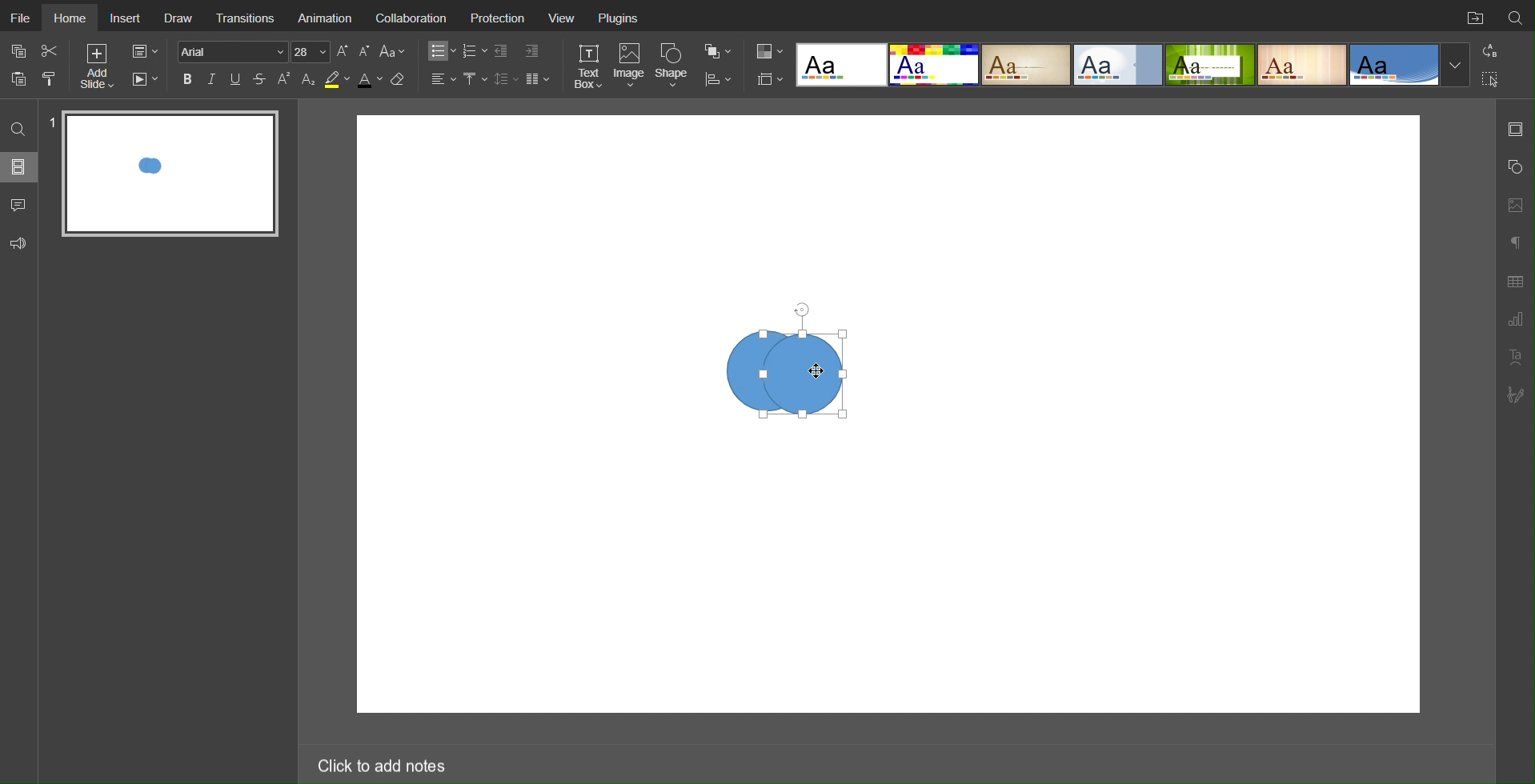  Describe the element at coordinates (21, 78) in the screenshot. I see `paste` at that location.